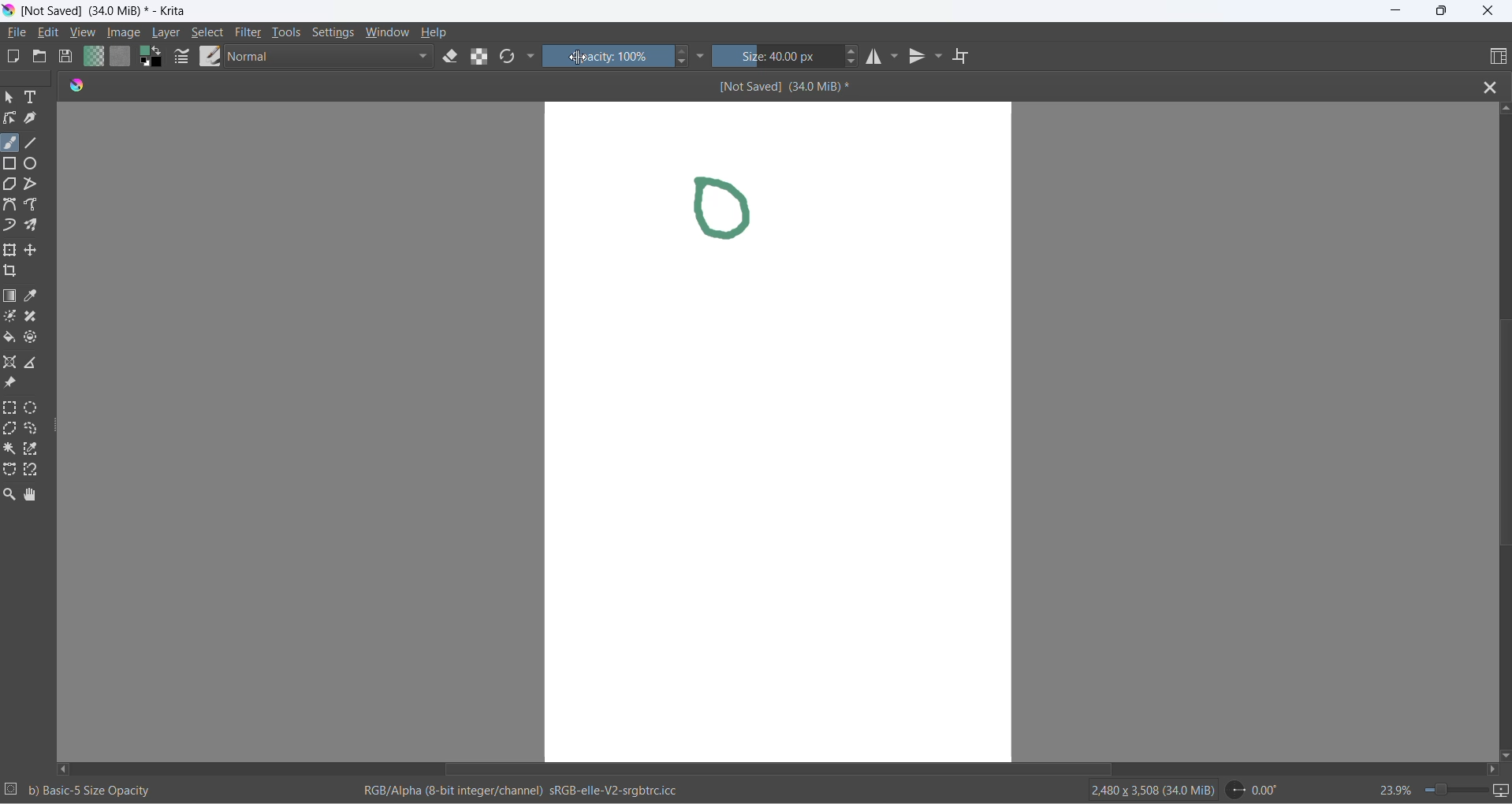 Image resolution: width=1512 pixels, height=804 pixels. I want to click on image, so click(125, 33).